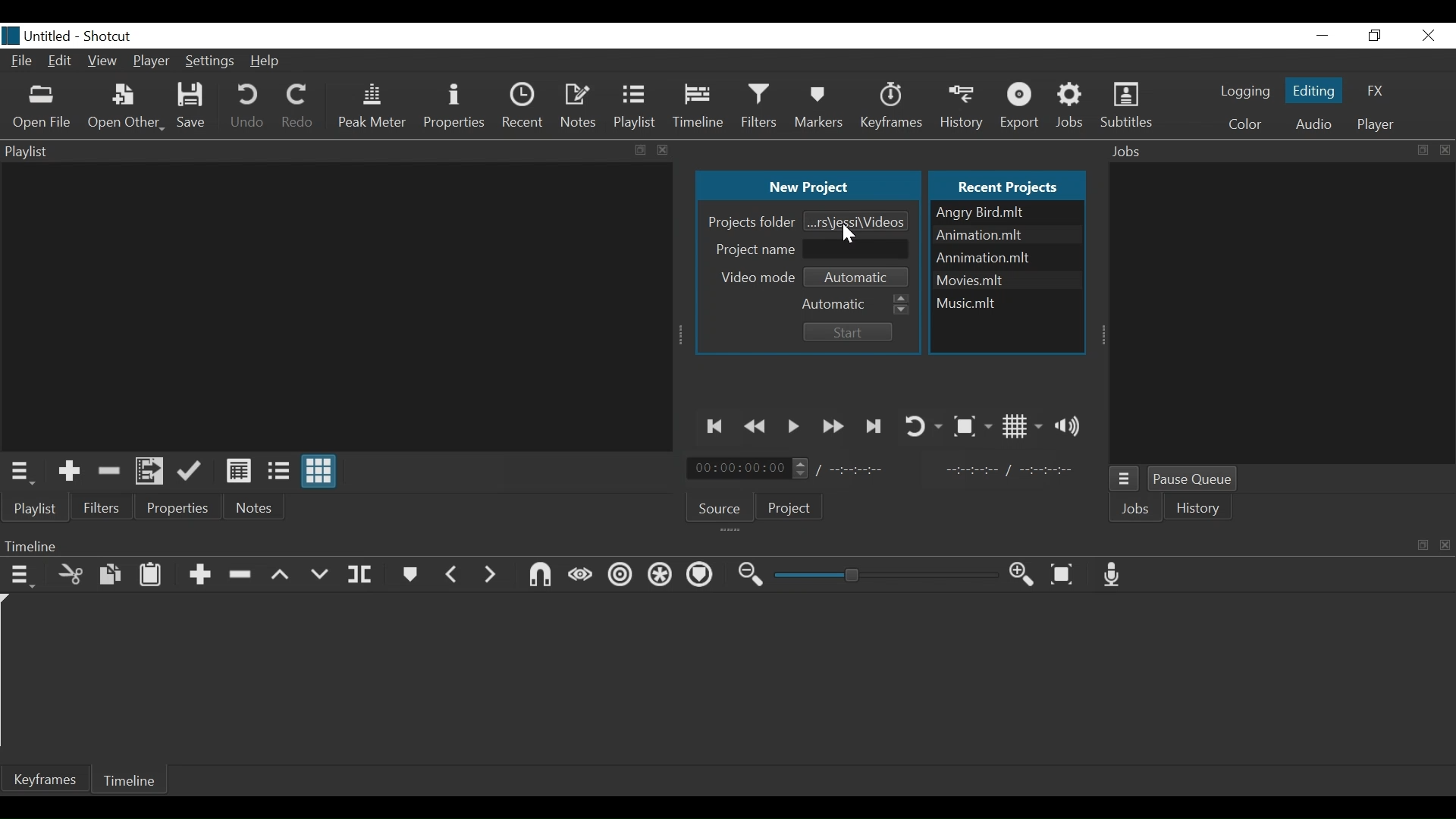 Image resolution: width=1456 pixels, height=819 pixels. Describe the element at coordinates (278, 471) in the screenshot. I see `View as file` at that location.